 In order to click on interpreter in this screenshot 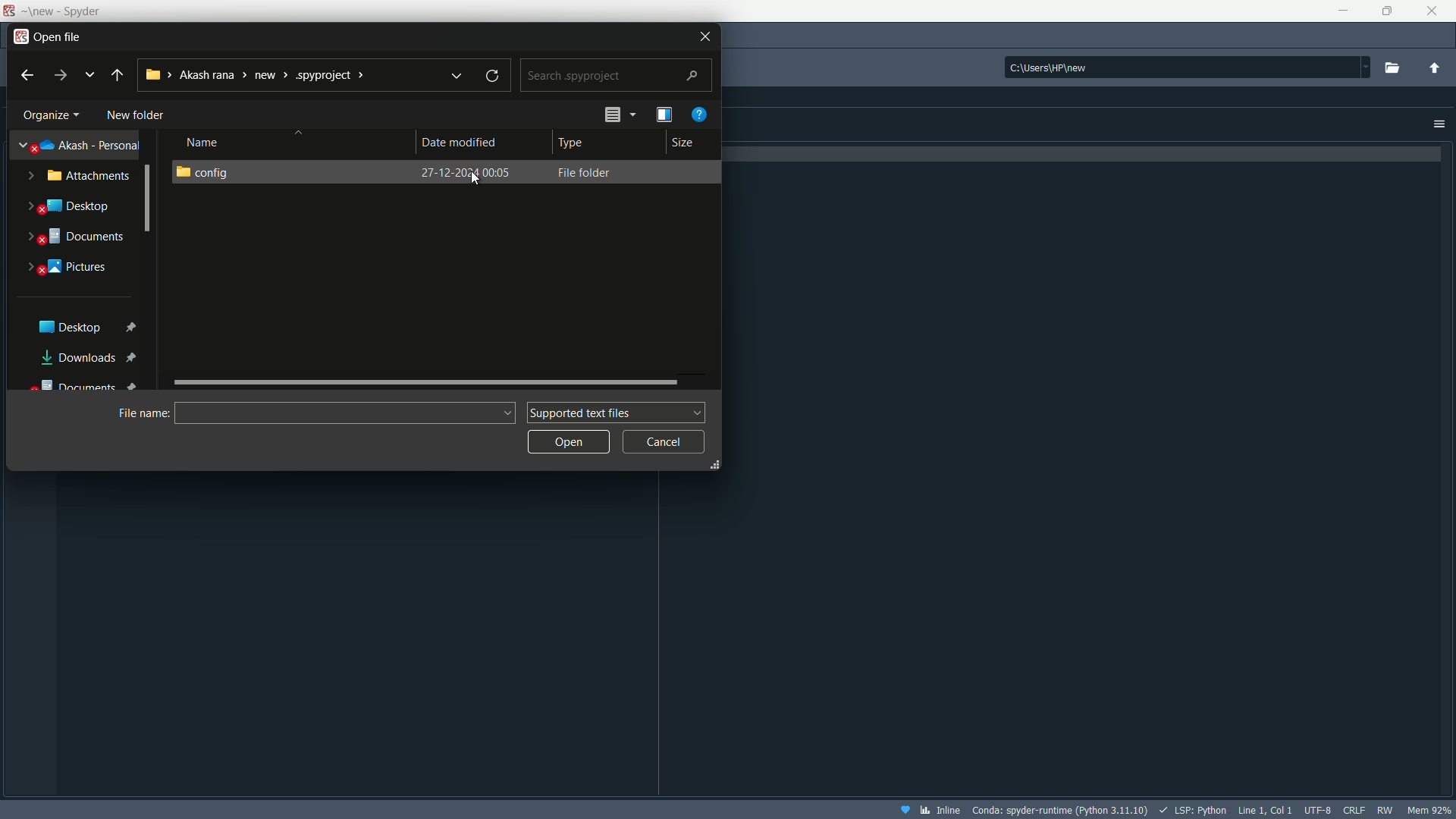, I will do `click(1061, 810)`.